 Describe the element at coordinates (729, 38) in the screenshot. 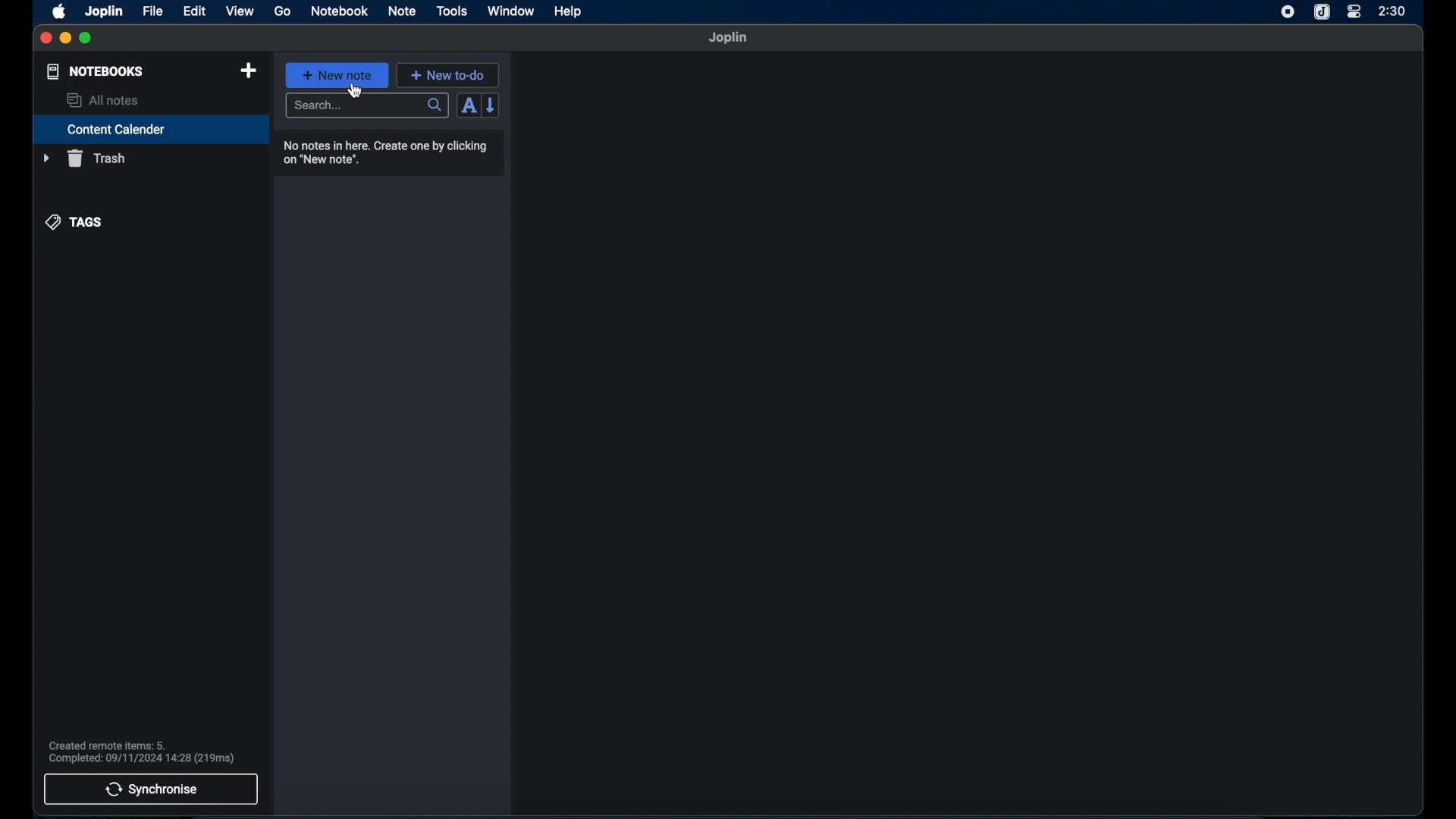

I see `Joplin` at that location.